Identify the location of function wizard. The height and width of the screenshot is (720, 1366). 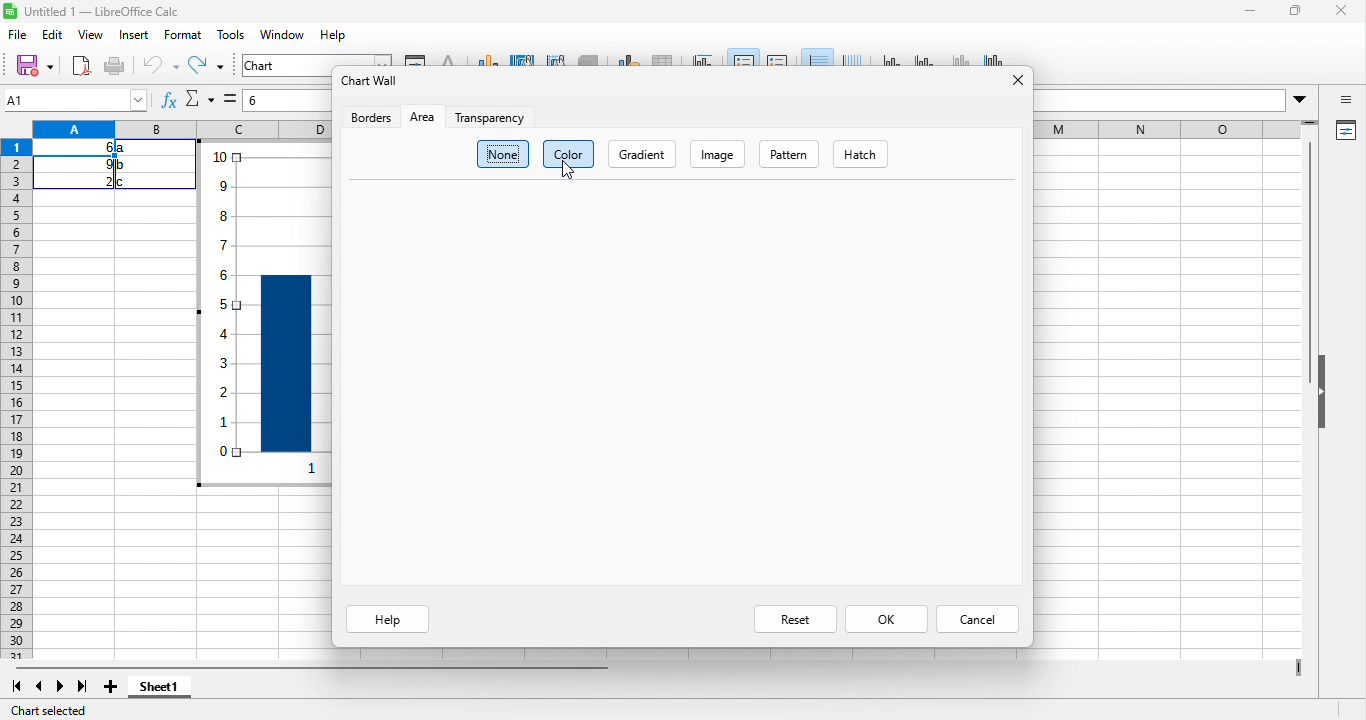
(168, 101).